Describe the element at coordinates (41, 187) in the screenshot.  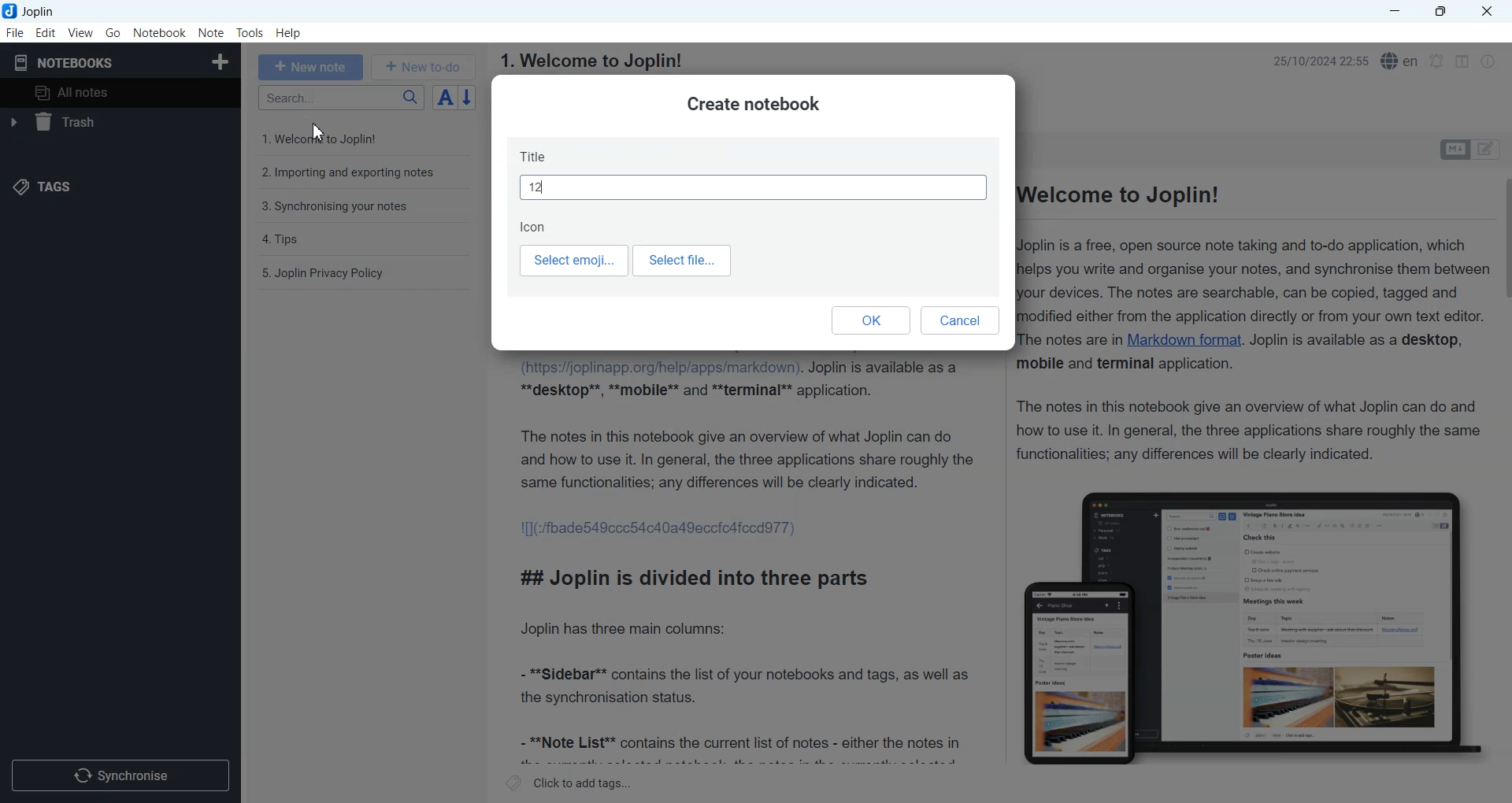
I see `Tags` at that location.